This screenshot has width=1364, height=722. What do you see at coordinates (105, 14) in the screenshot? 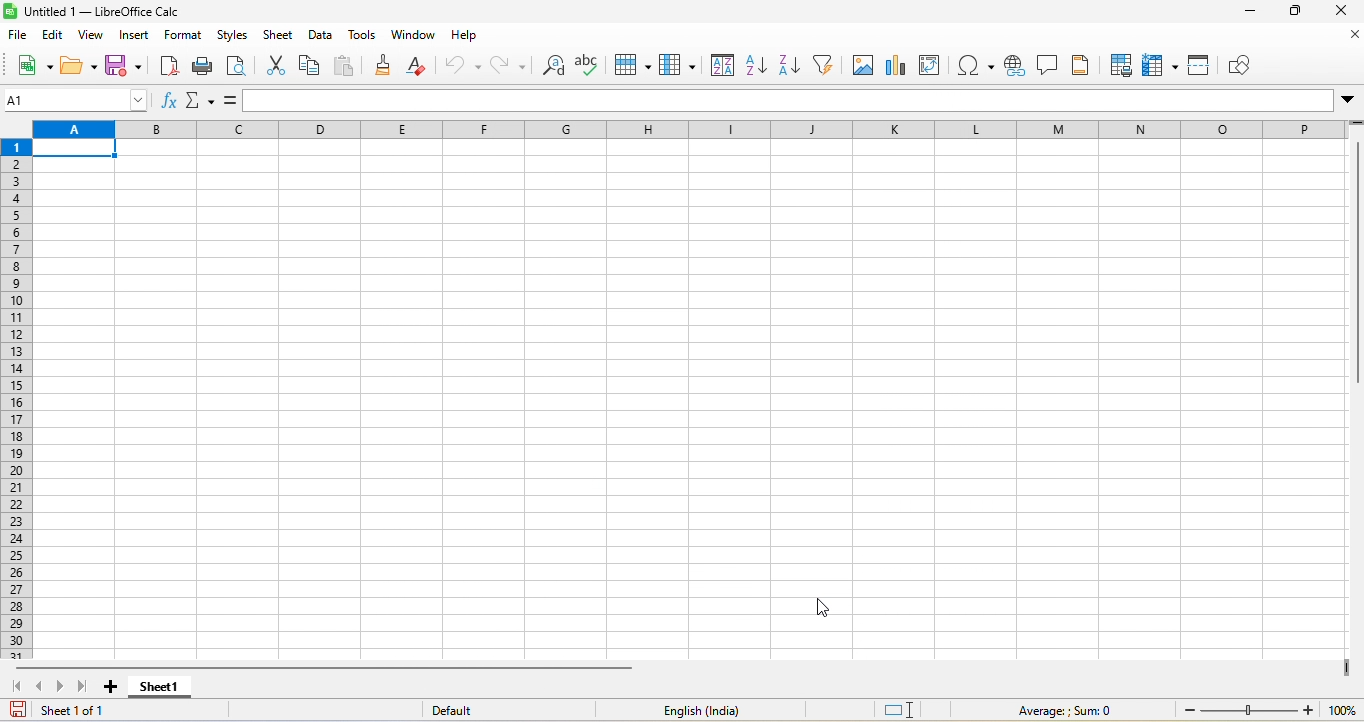
I see `title` at bounding box center [105, 14].